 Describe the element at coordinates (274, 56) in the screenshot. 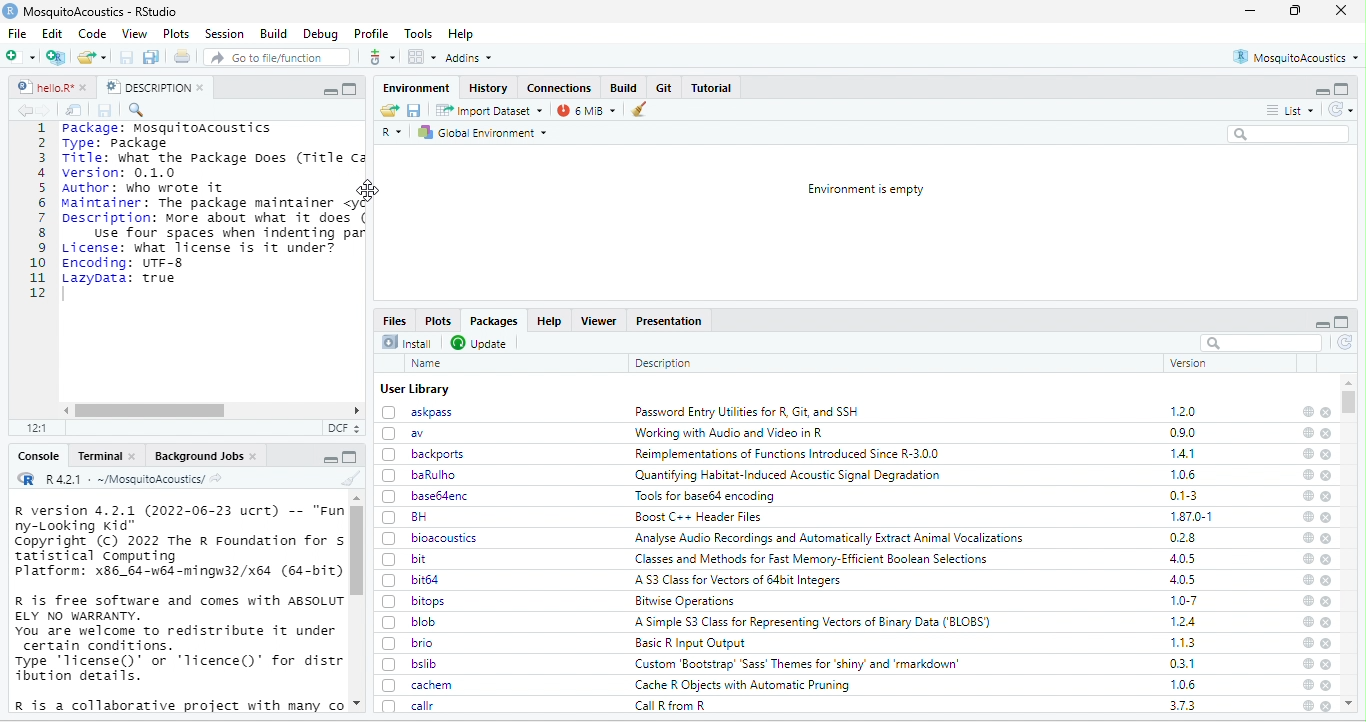

I see `Go to file/function` at that location.